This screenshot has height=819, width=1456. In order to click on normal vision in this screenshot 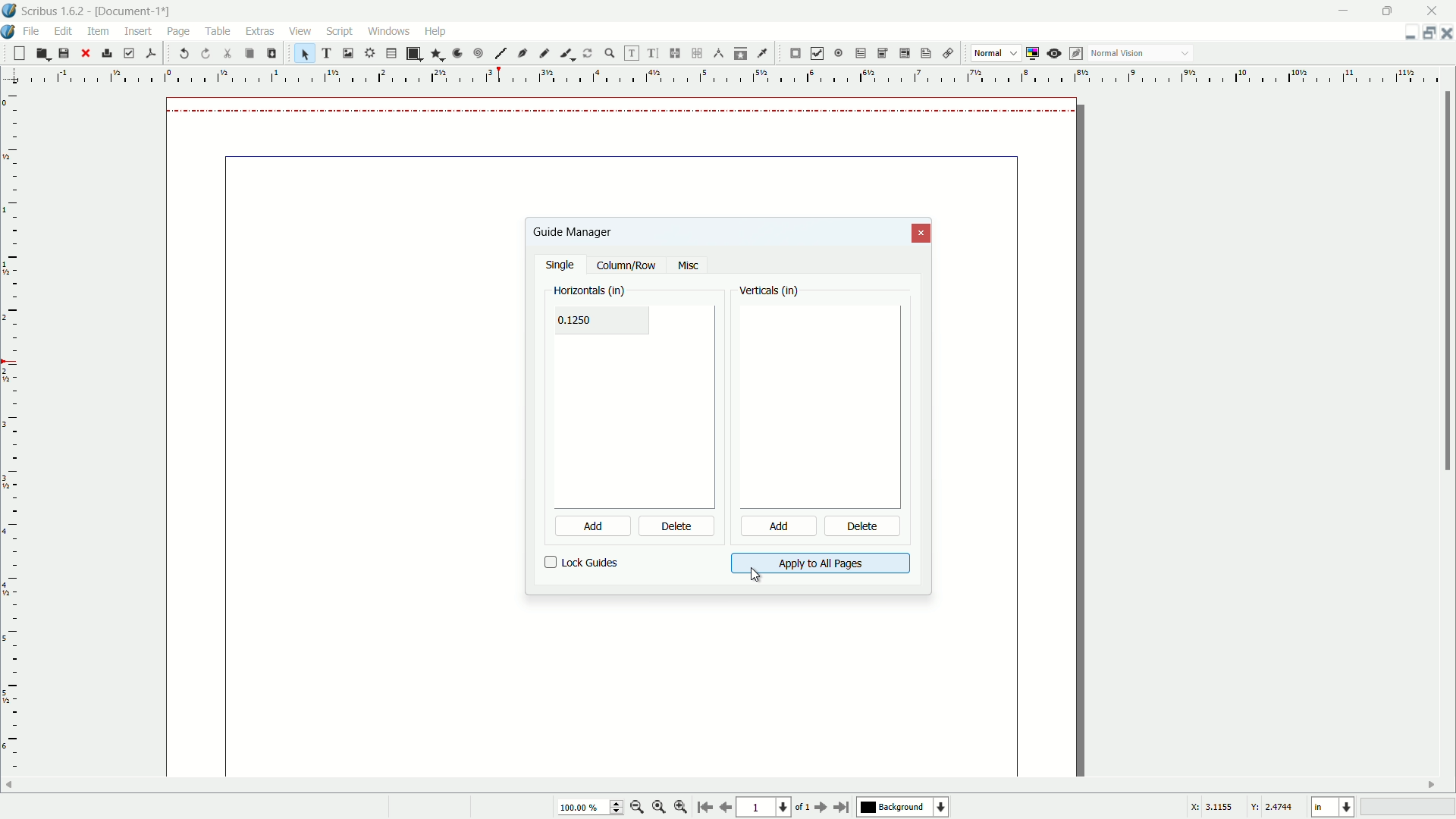, I will do `click(1119, 54)`.